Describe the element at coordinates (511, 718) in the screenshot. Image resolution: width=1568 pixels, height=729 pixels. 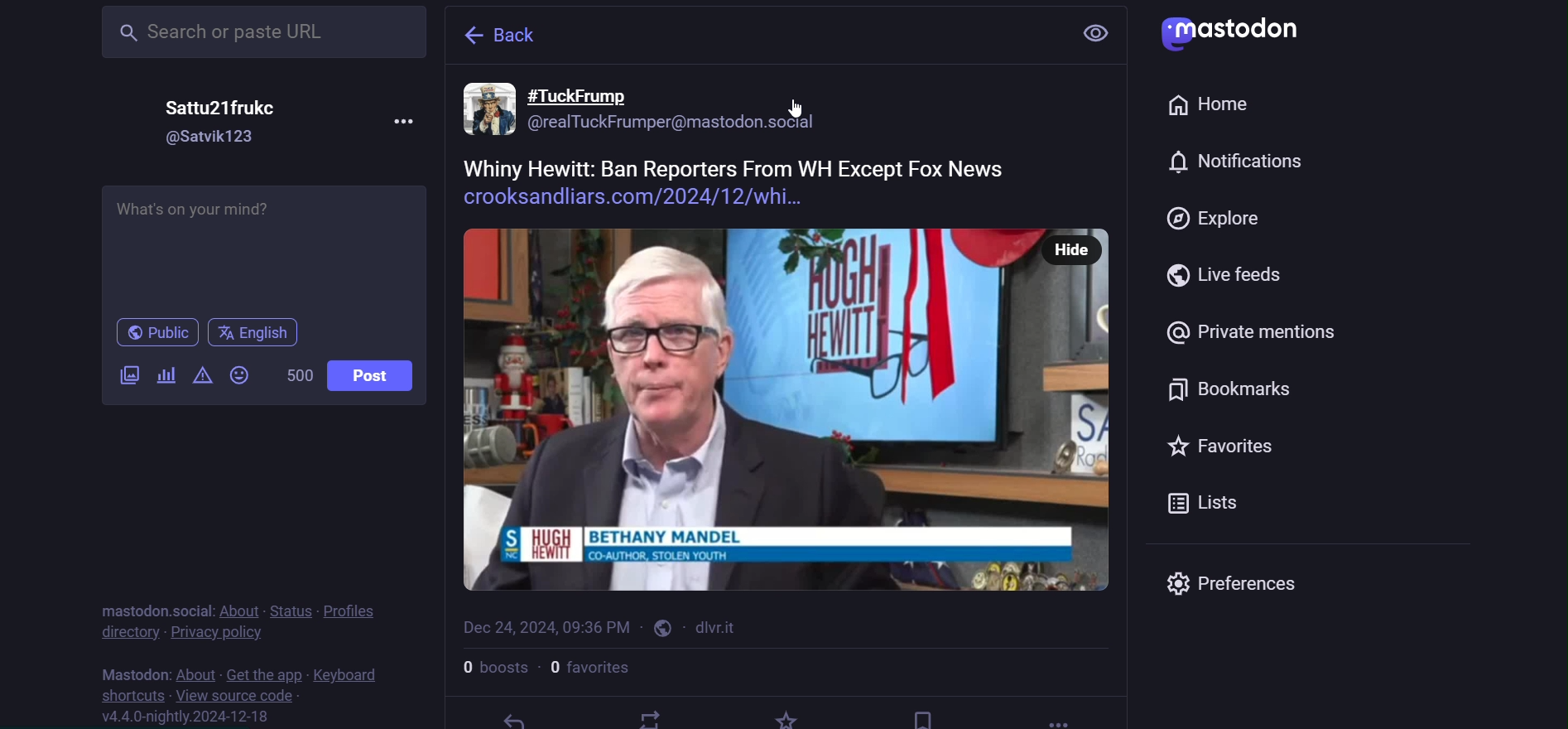
I see `reply` at that location.